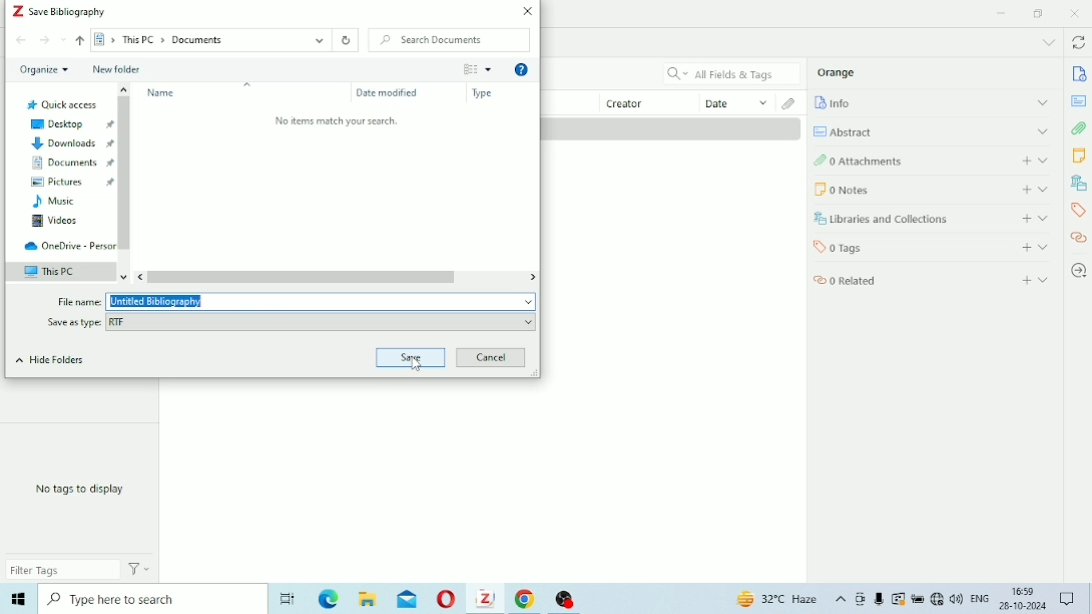 Image resolution: width=1092 pixels, height=614 pixels. Describe the element at coordinates (140, 568) in the screenshot. I see `Actions` at that location.